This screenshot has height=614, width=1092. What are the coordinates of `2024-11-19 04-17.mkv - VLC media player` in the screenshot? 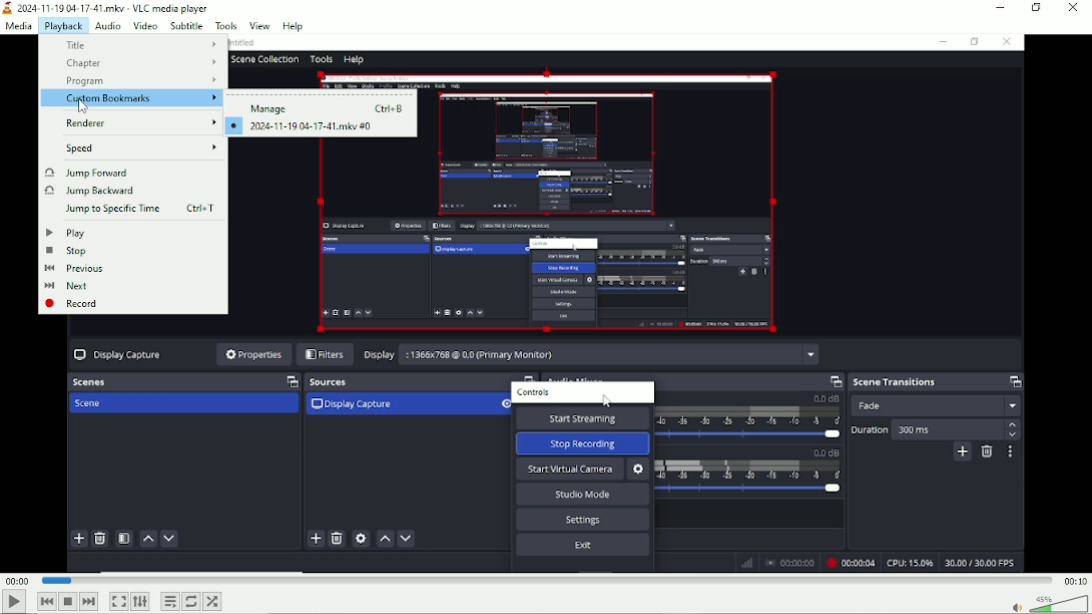 It's located at (108, 7).